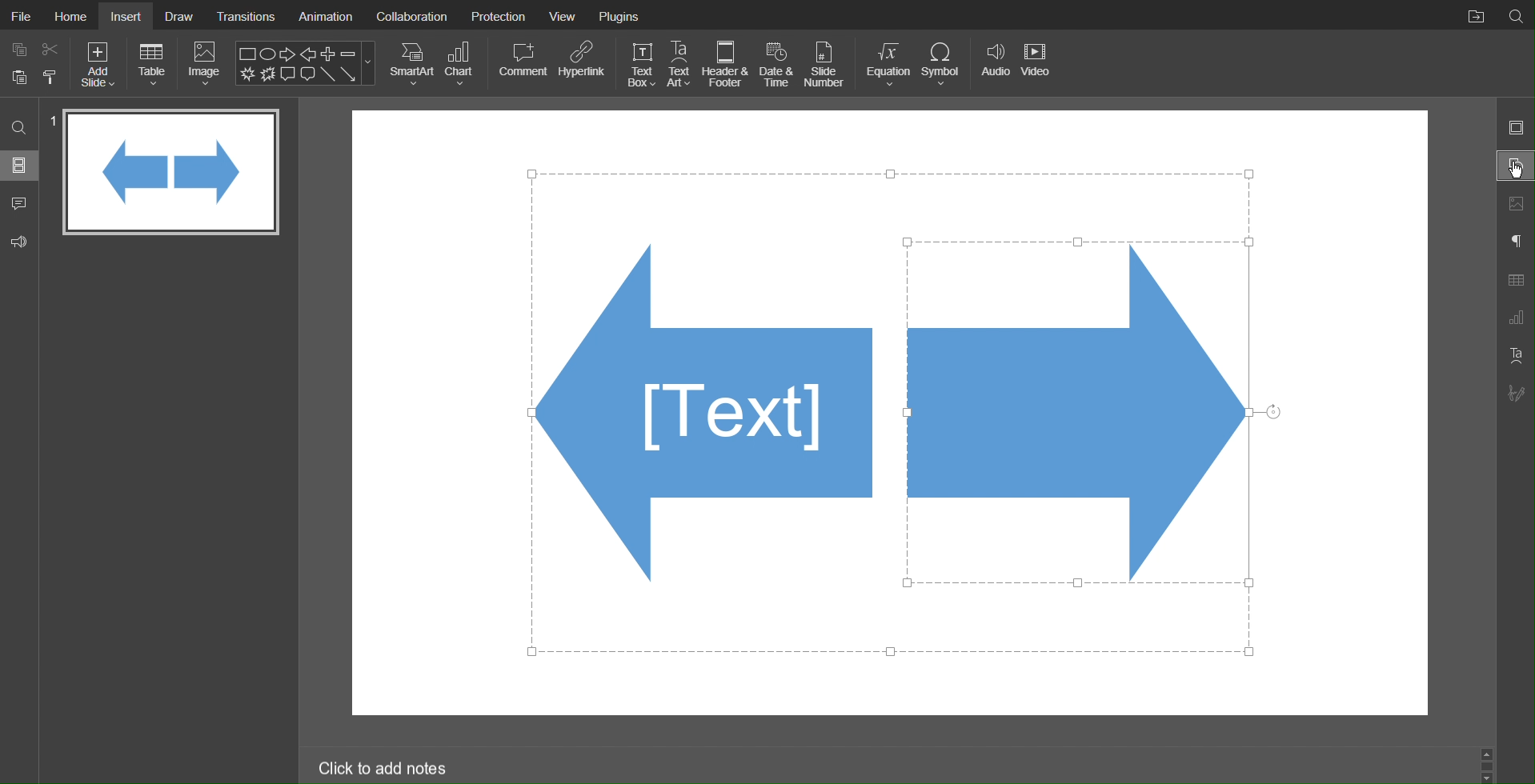 The image size is (1535, 784). What do you see at coordinates (246, 15) in the screenshot?
I see `Transitions` at bounding box center [246, 15].